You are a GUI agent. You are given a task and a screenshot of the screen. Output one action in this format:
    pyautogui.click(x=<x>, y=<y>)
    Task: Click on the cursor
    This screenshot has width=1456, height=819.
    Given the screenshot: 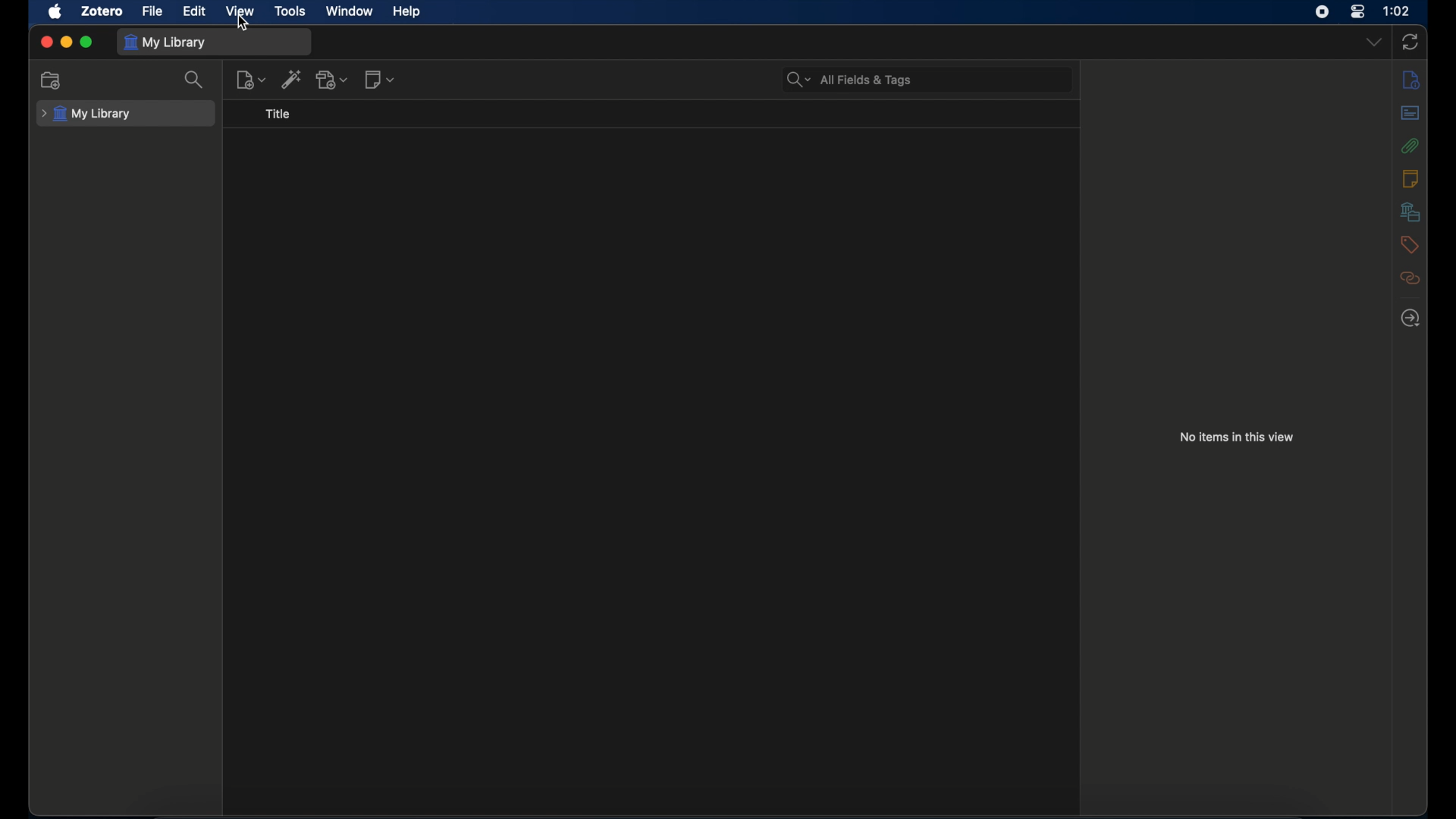 What is the action you would take?
    pyautogui.click(x=244, y=24)
    